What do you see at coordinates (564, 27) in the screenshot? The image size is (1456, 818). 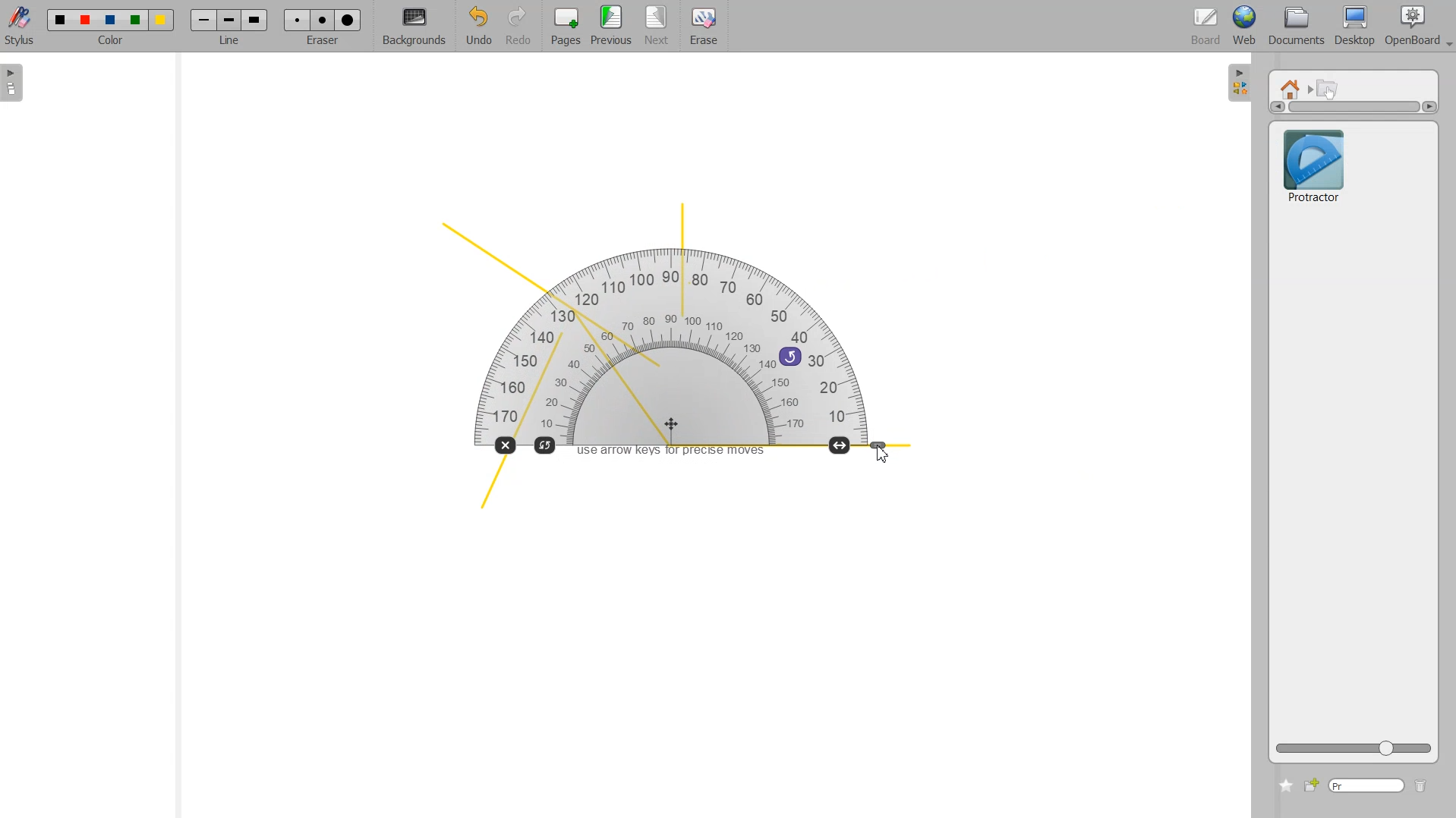 I see `Pages` at bounding box center [564, 27].